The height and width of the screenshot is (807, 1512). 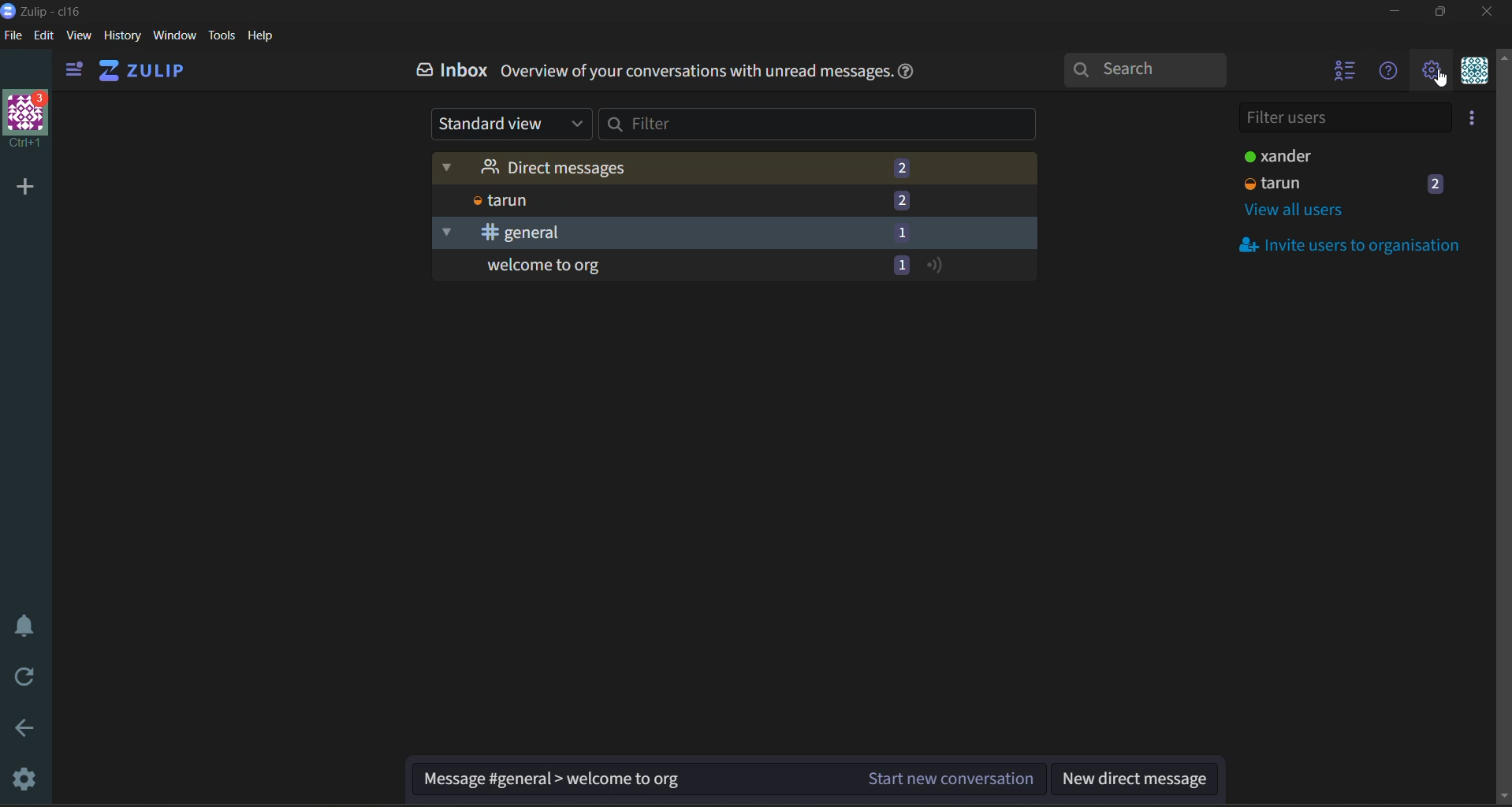 I want to click on Scroll bar , so click(x=1503, y=426).